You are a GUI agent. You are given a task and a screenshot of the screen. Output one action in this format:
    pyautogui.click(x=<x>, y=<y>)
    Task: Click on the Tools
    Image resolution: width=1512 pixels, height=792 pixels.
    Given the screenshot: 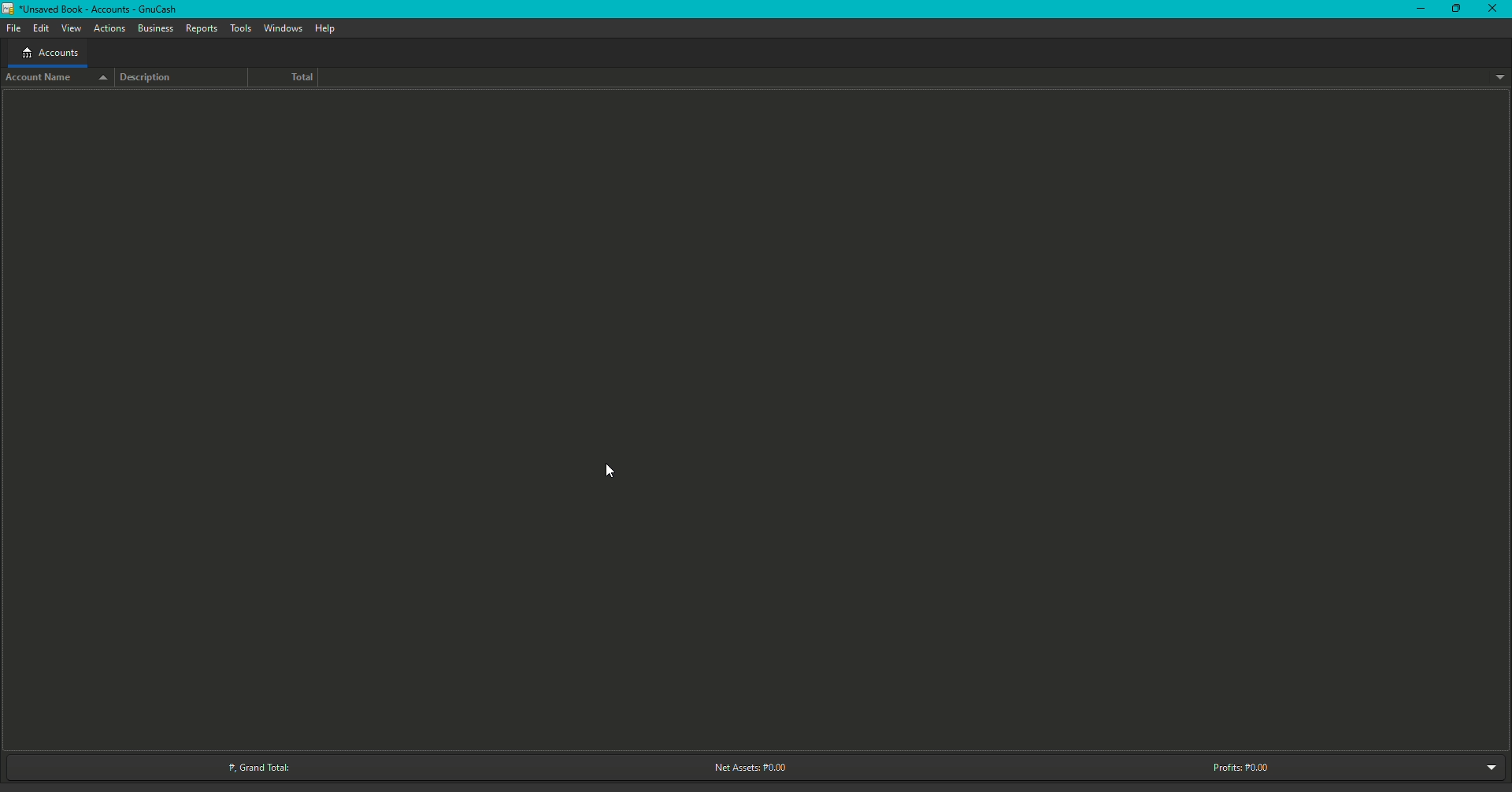 What is the action you would take?
    pyautogui.click(x=239, y=29)
    